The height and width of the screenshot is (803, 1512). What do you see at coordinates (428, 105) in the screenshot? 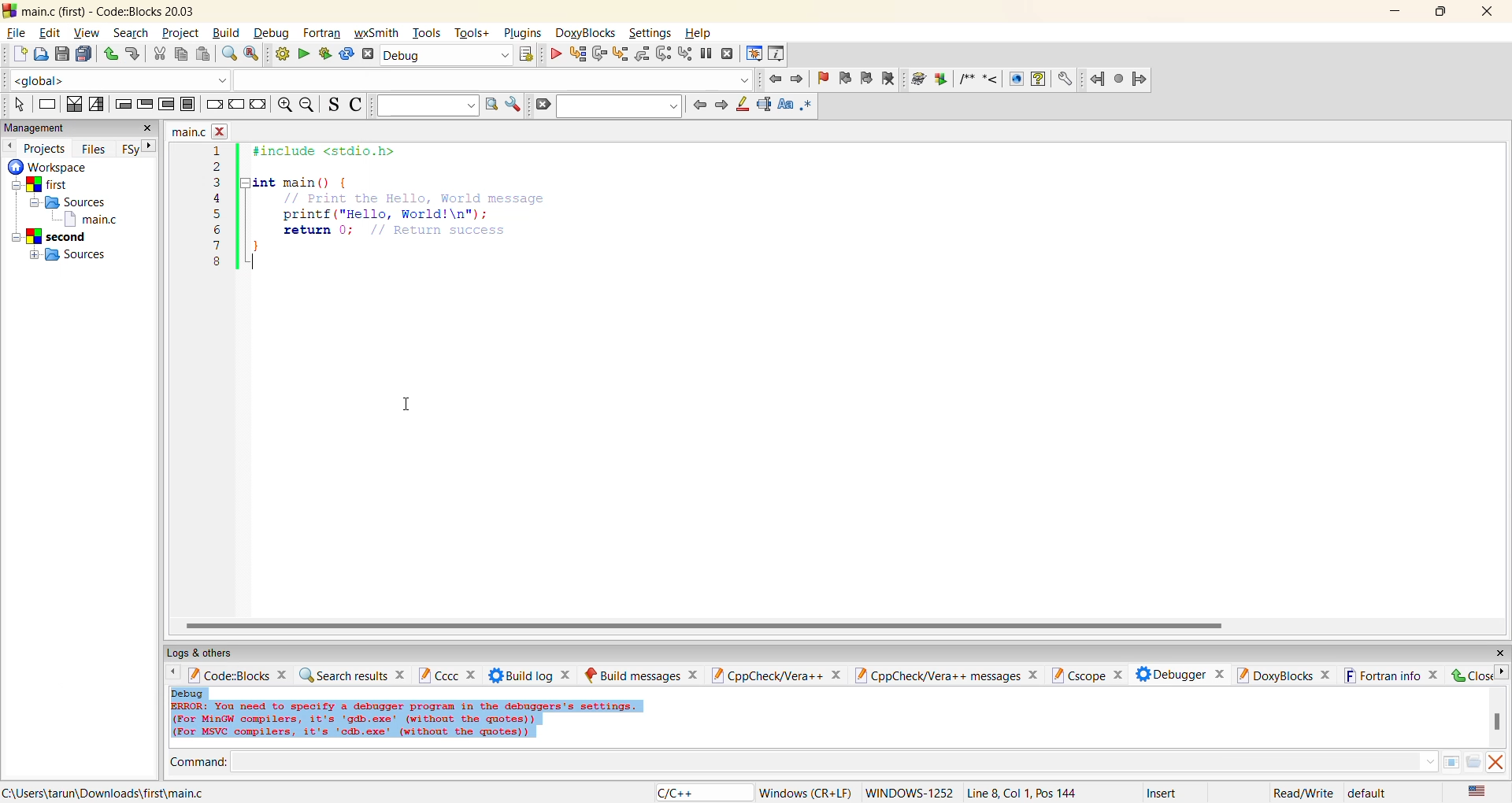
I see `text to search` at bounding box center [428, 105].